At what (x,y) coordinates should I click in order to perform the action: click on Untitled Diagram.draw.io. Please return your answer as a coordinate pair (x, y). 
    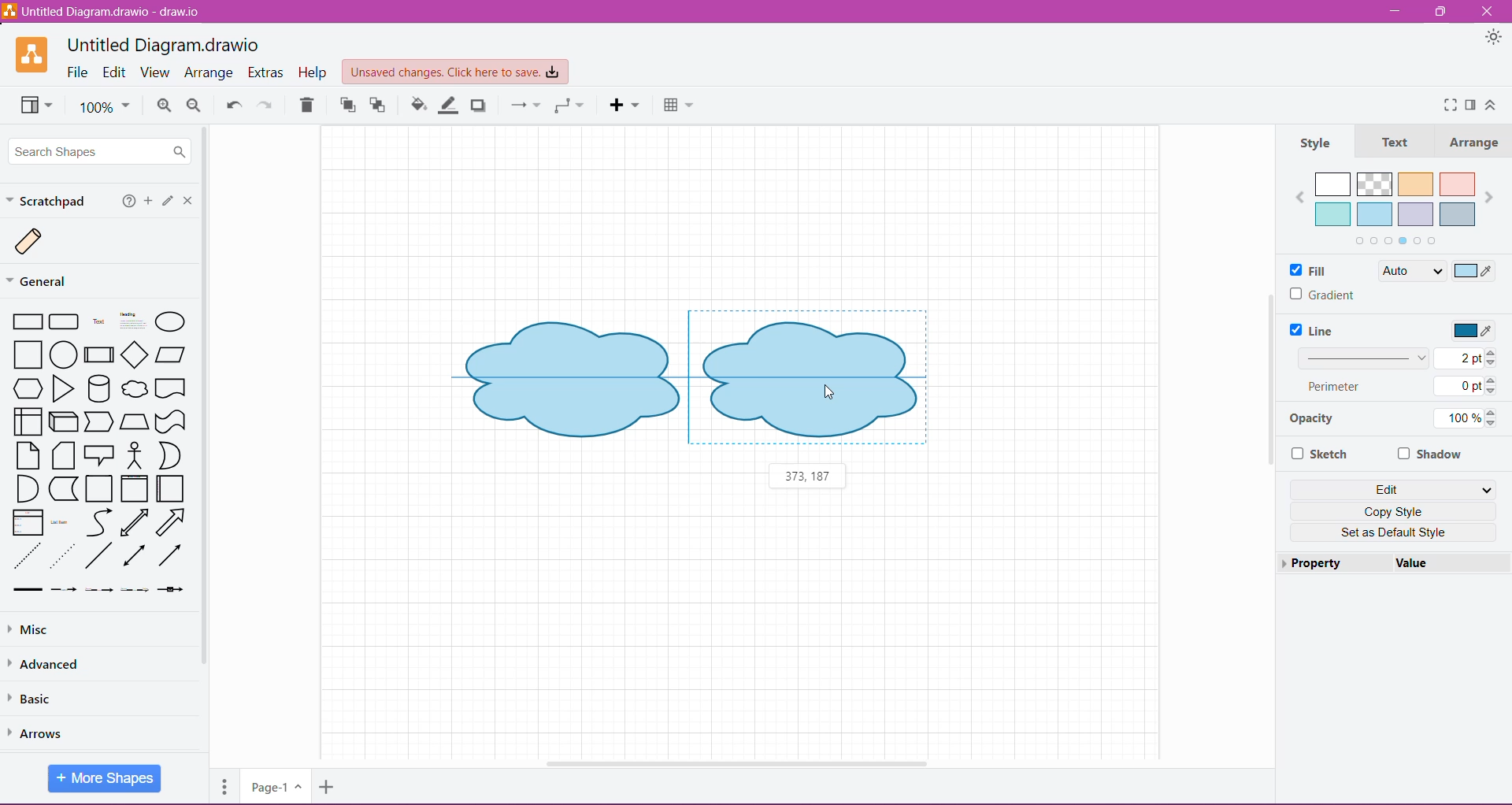
    Looking at the image, I should click on (164, 43).